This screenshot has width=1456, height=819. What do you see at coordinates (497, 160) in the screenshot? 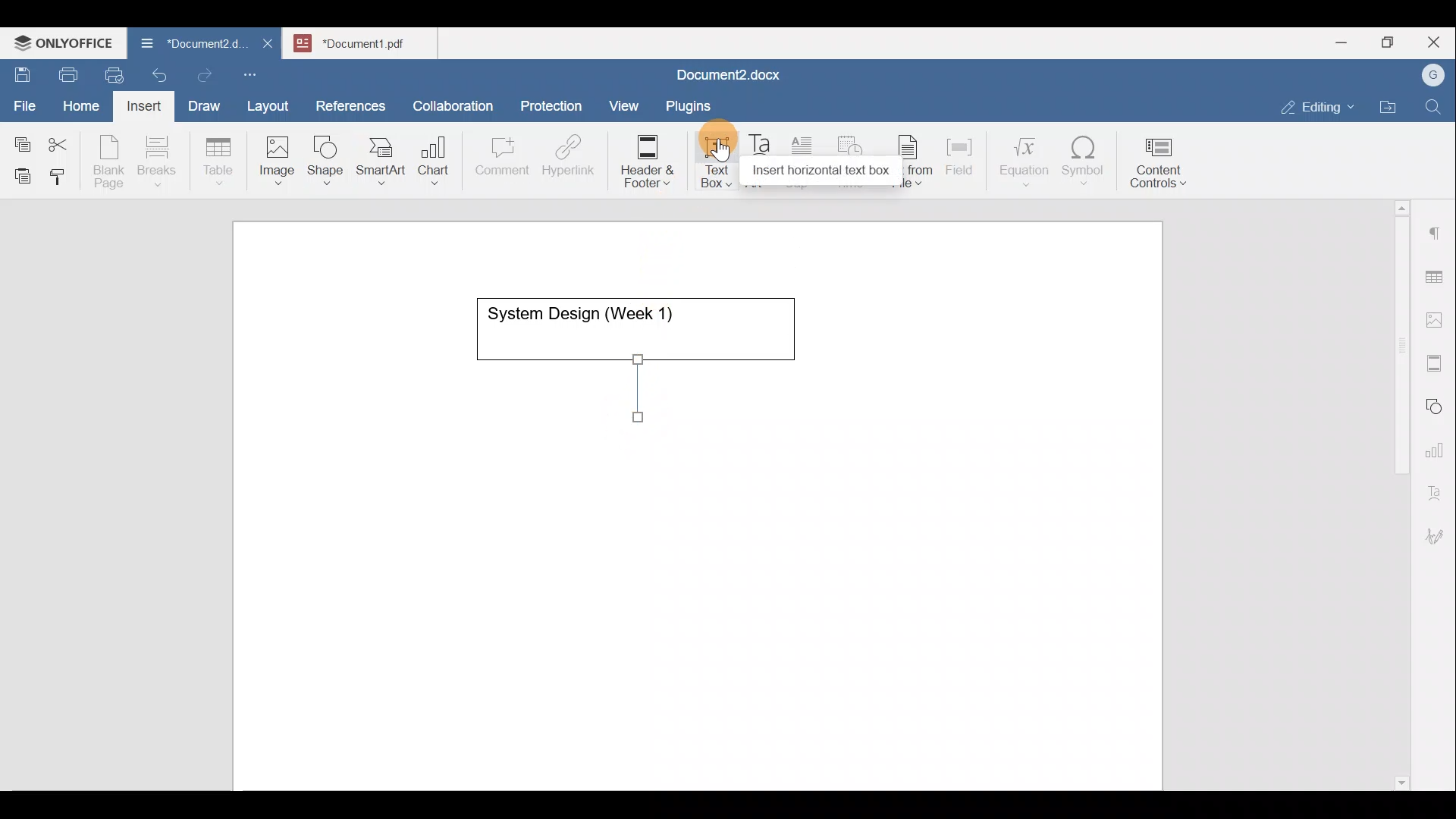
I see `Comment` at bounding box center [497, 160].